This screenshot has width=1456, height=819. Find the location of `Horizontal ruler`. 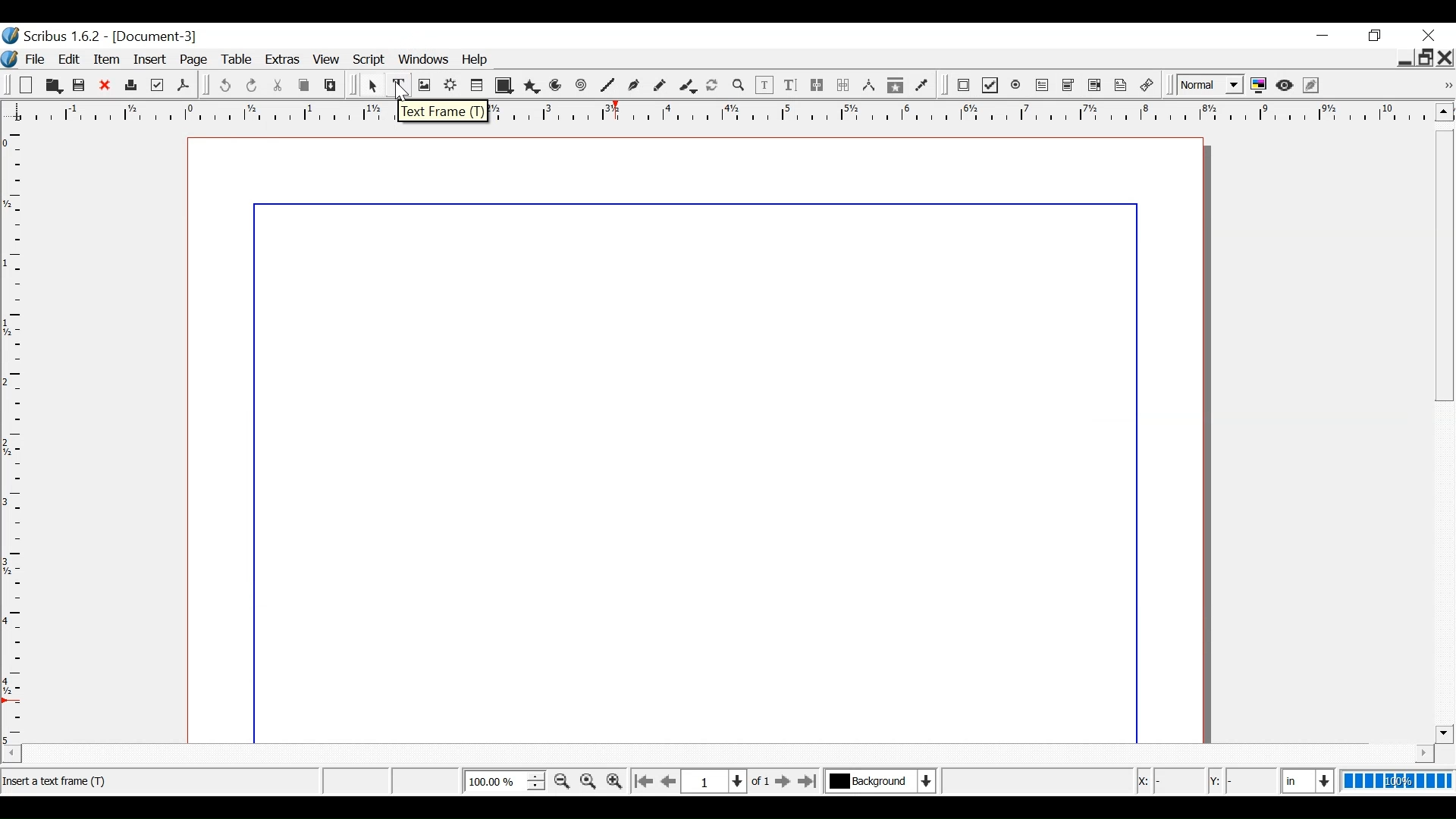

Horizontal ruler is located at coordinates (714, 112).